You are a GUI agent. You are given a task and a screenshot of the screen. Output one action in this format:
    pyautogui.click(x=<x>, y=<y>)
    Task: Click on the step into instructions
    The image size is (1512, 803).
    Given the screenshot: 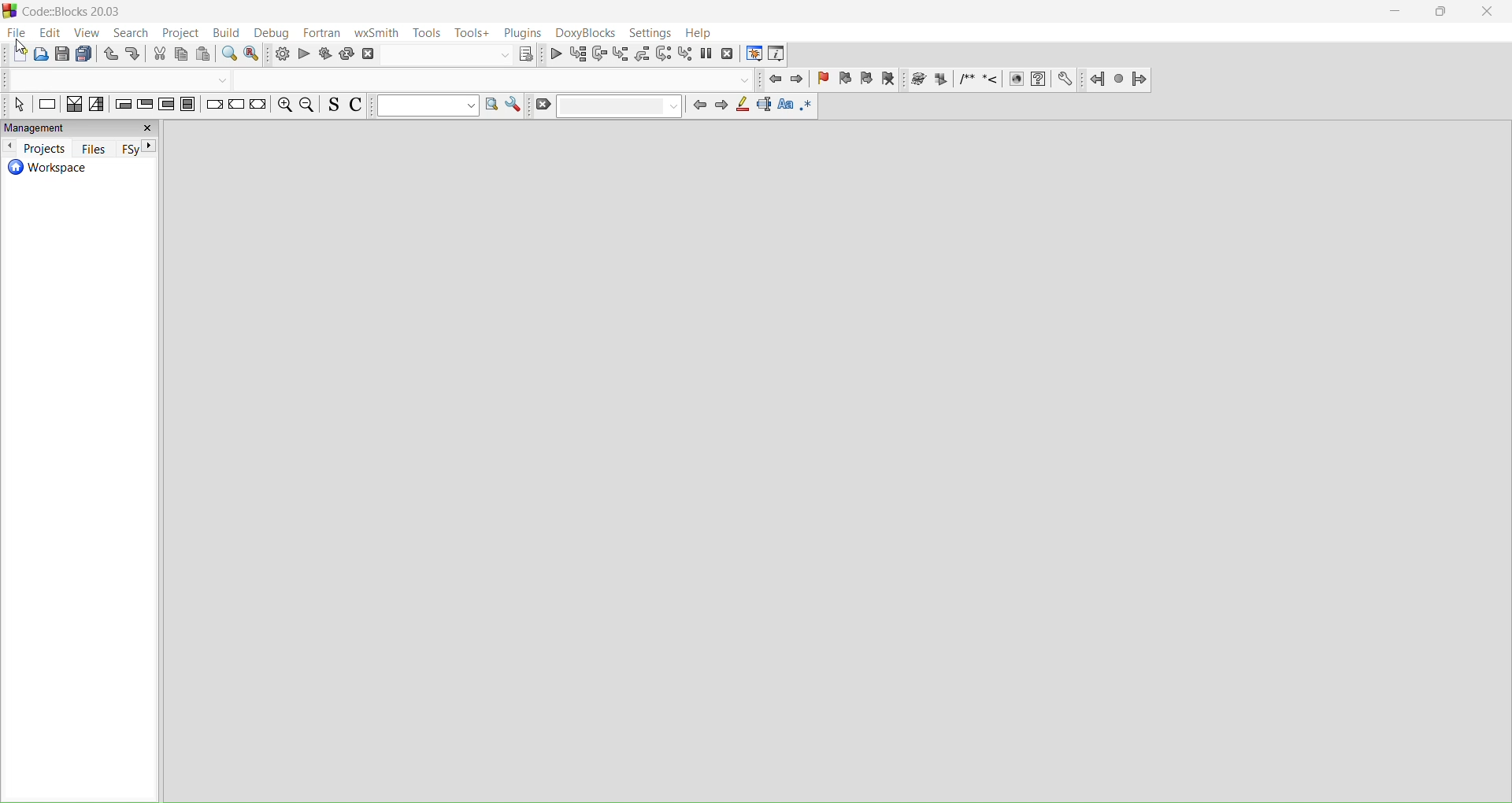 What is the action you would take?
    pyautogui.click(x=684, y=54)
    